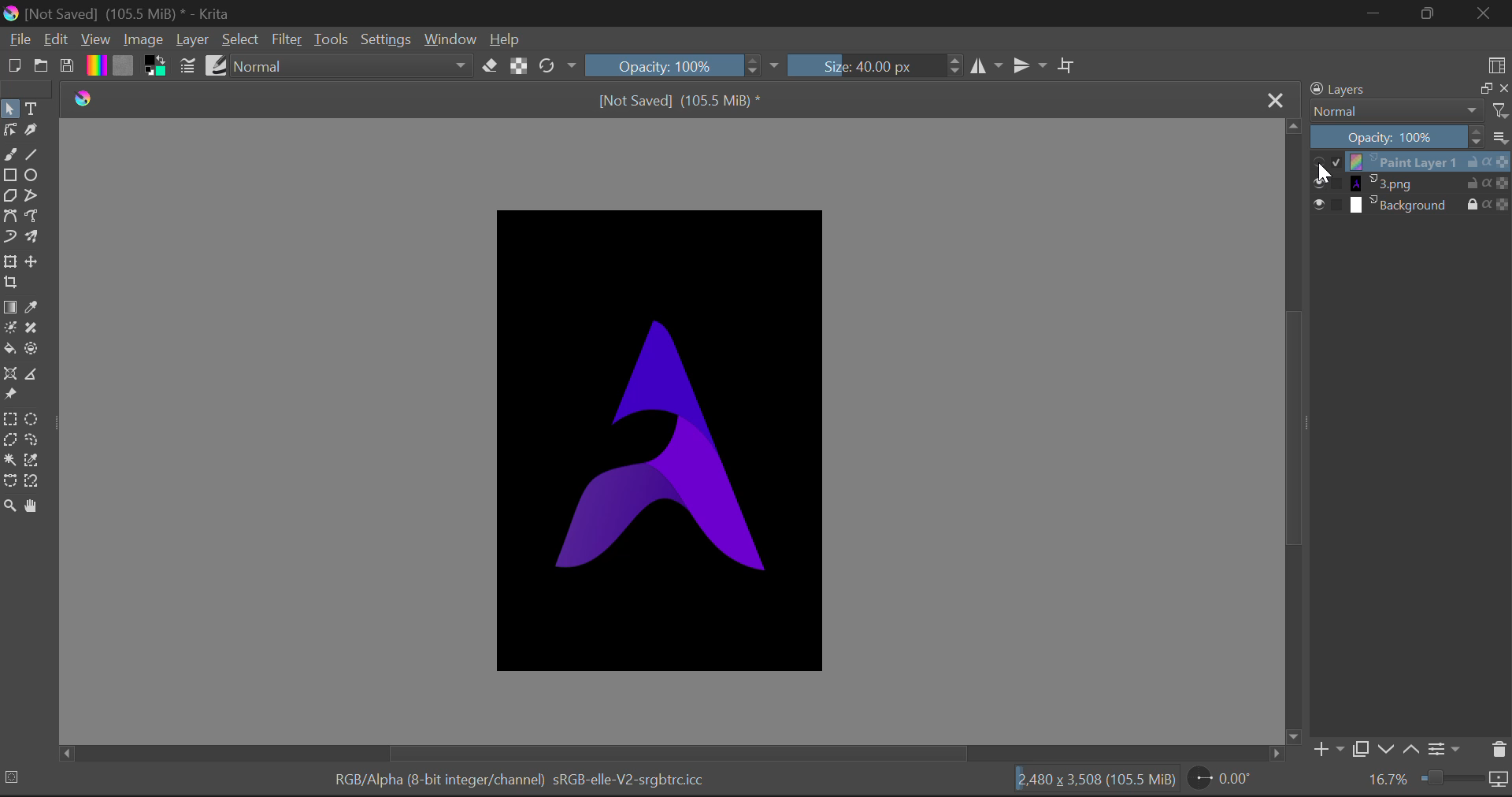 The height and width of the screenshot is (797, 1512). I want to click on Close, so click(1483, 13).